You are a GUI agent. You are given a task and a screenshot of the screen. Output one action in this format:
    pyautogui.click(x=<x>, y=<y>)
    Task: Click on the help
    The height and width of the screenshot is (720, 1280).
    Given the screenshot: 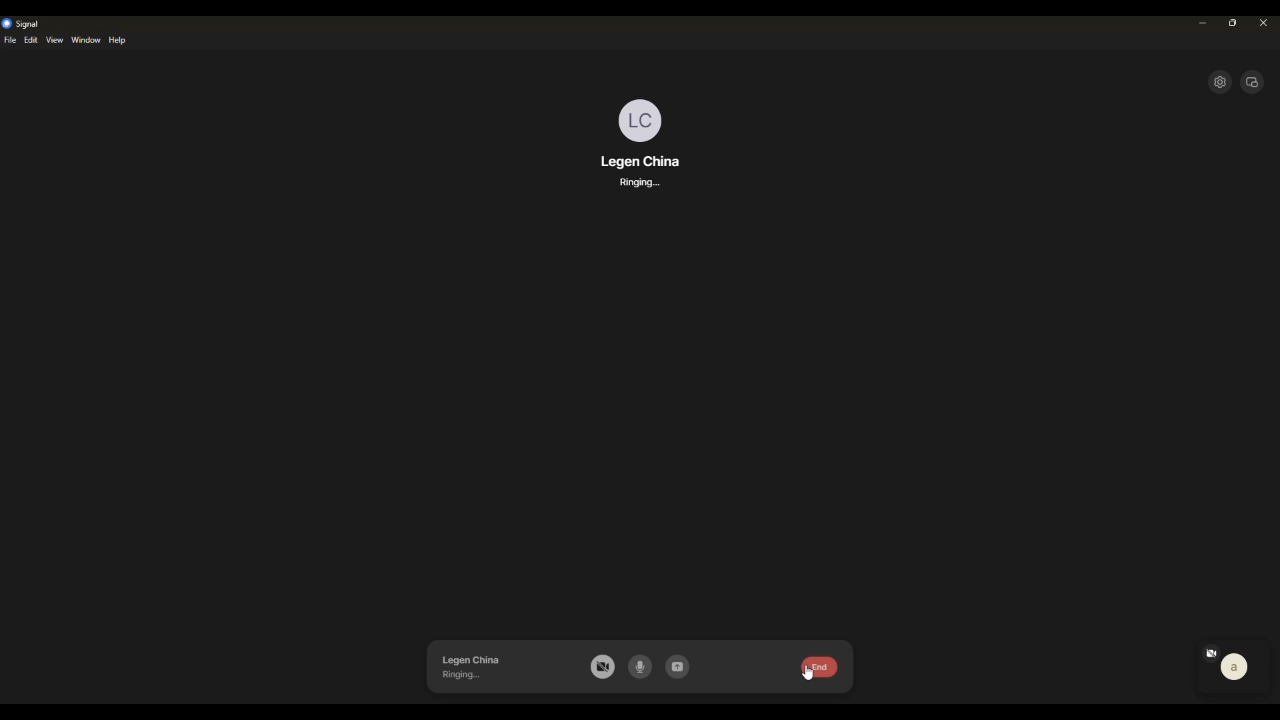 What is the action you would take?
    pyautogui.click(x=120, y=41)
    